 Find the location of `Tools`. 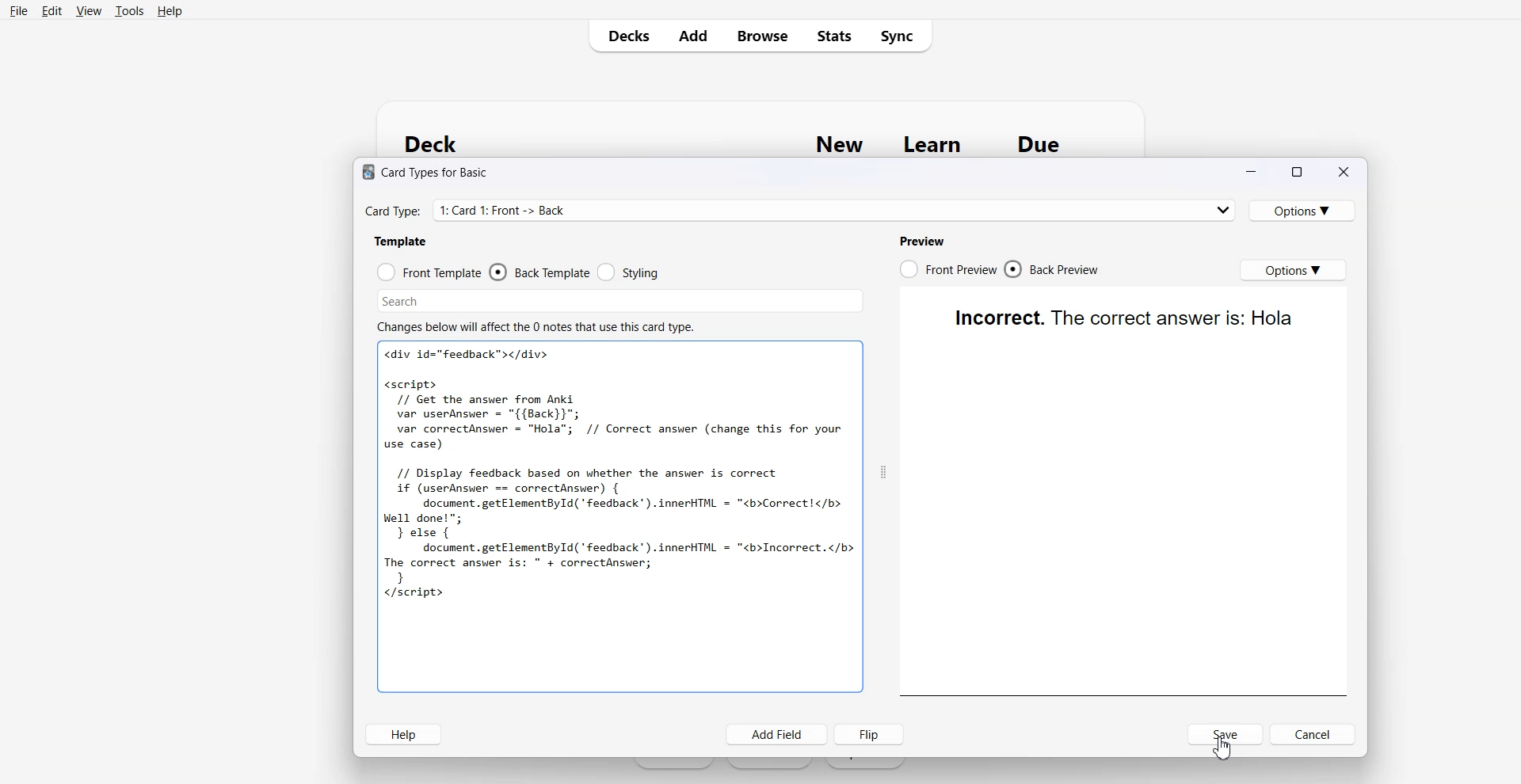

Tools is located at coordinates (129, 10).